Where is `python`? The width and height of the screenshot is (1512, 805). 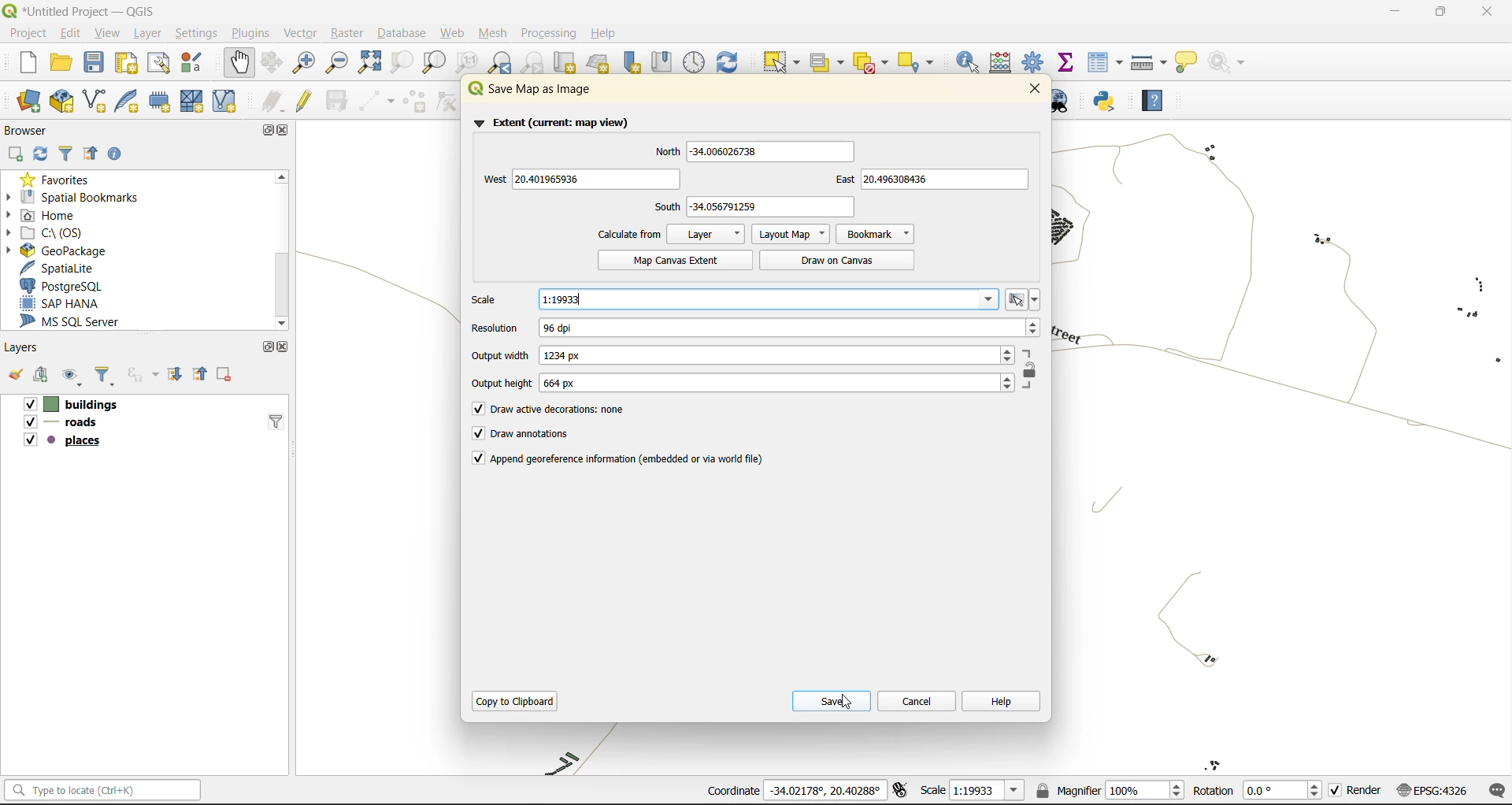
python is located at coordinates (1111, 102).